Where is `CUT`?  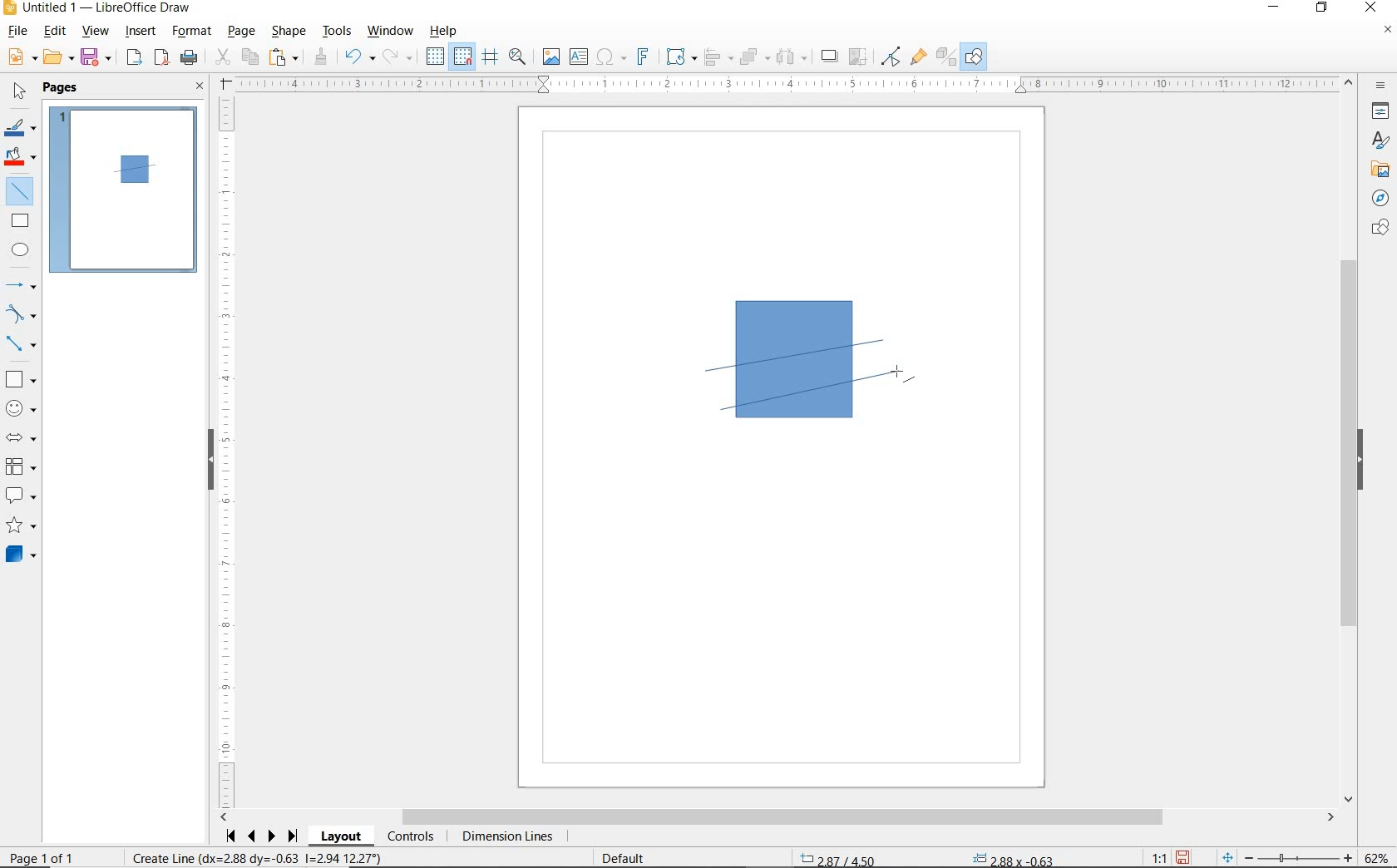 CUT is located at coordinates (222, 57).